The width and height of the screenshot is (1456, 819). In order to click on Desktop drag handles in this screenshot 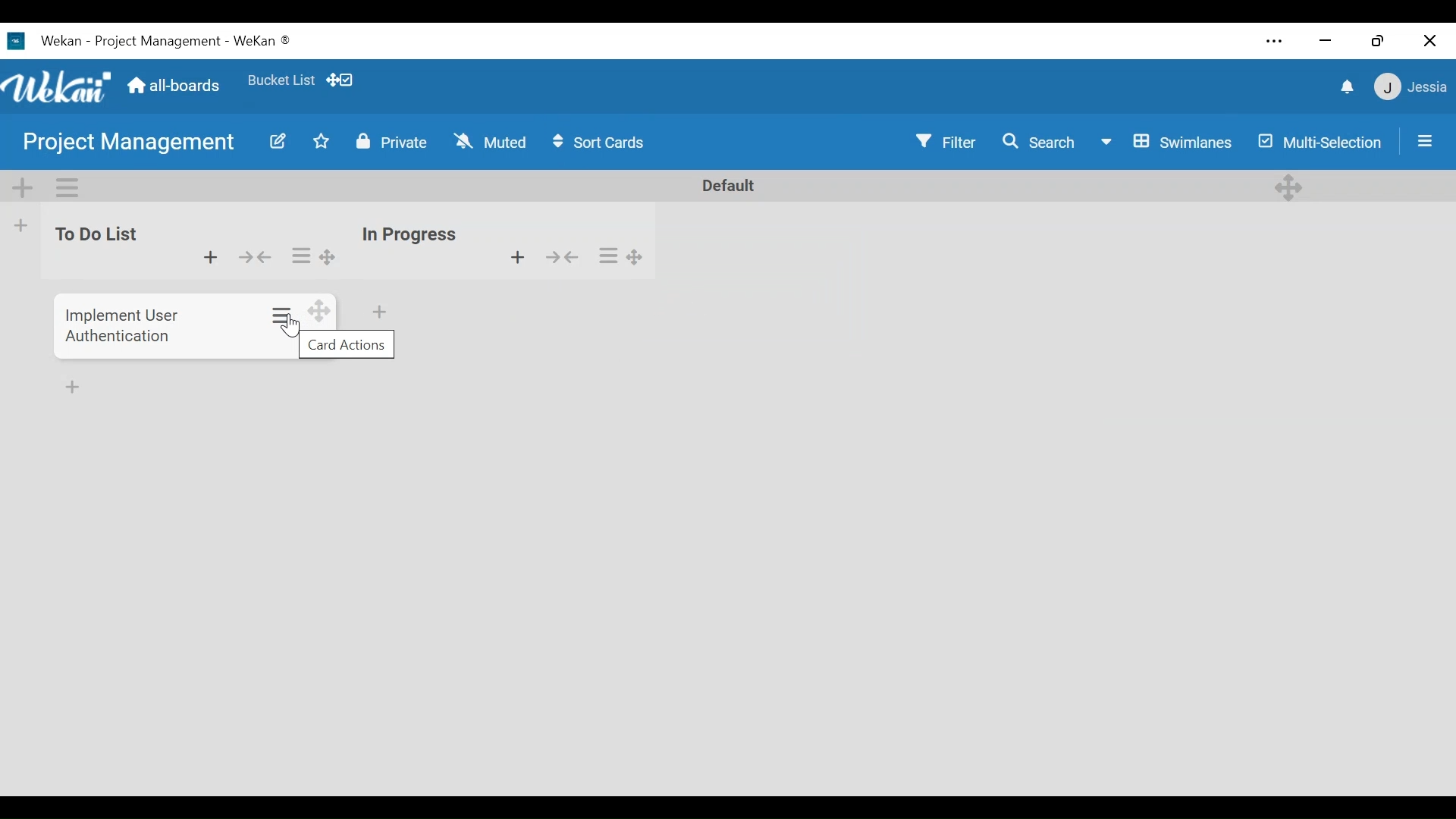, I will do `click(1290, 186)`.